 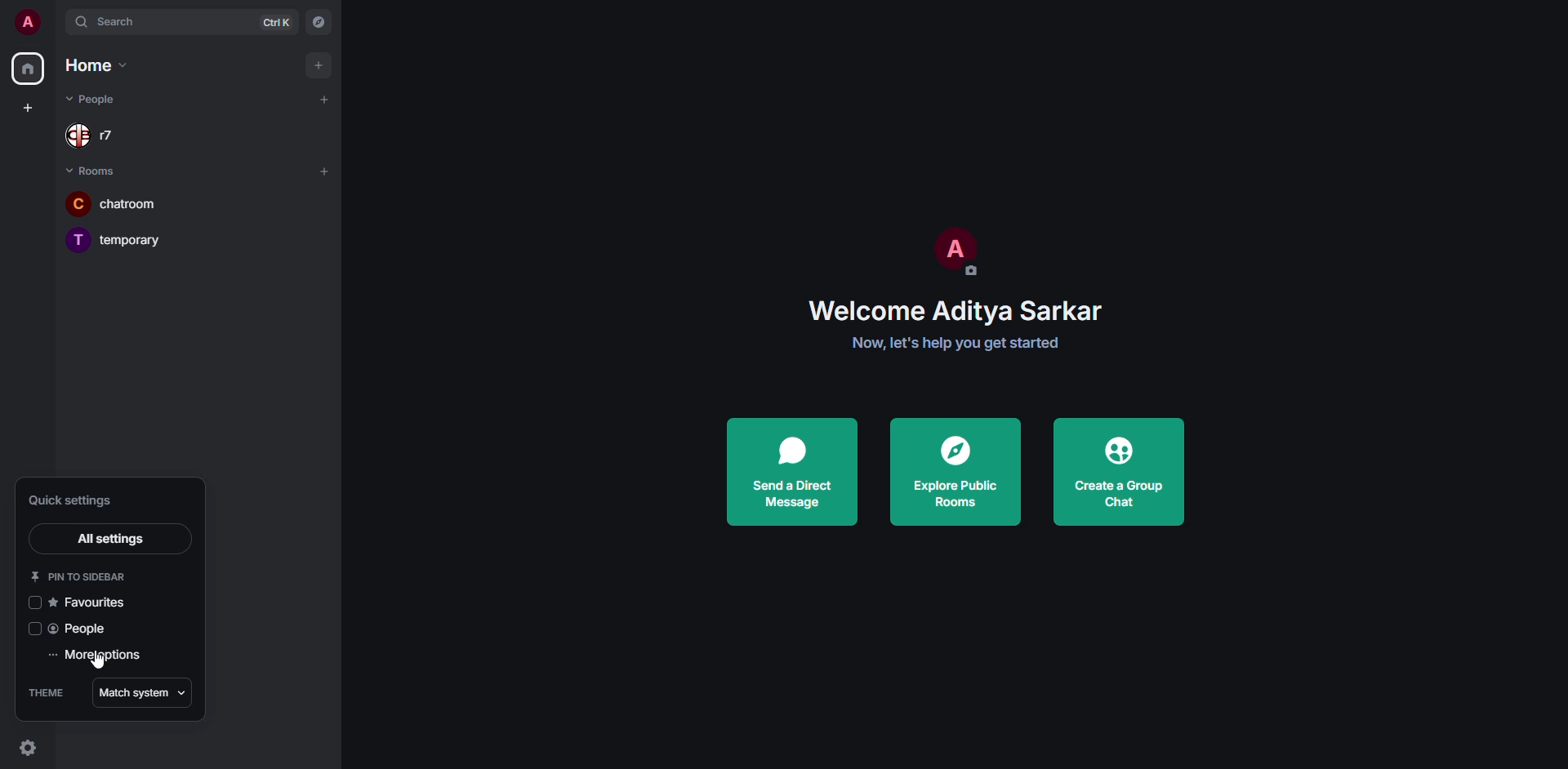 What do you see at coordinates (124, 23) in the screenshot?
I see `search` at bounding box center [124, 23].